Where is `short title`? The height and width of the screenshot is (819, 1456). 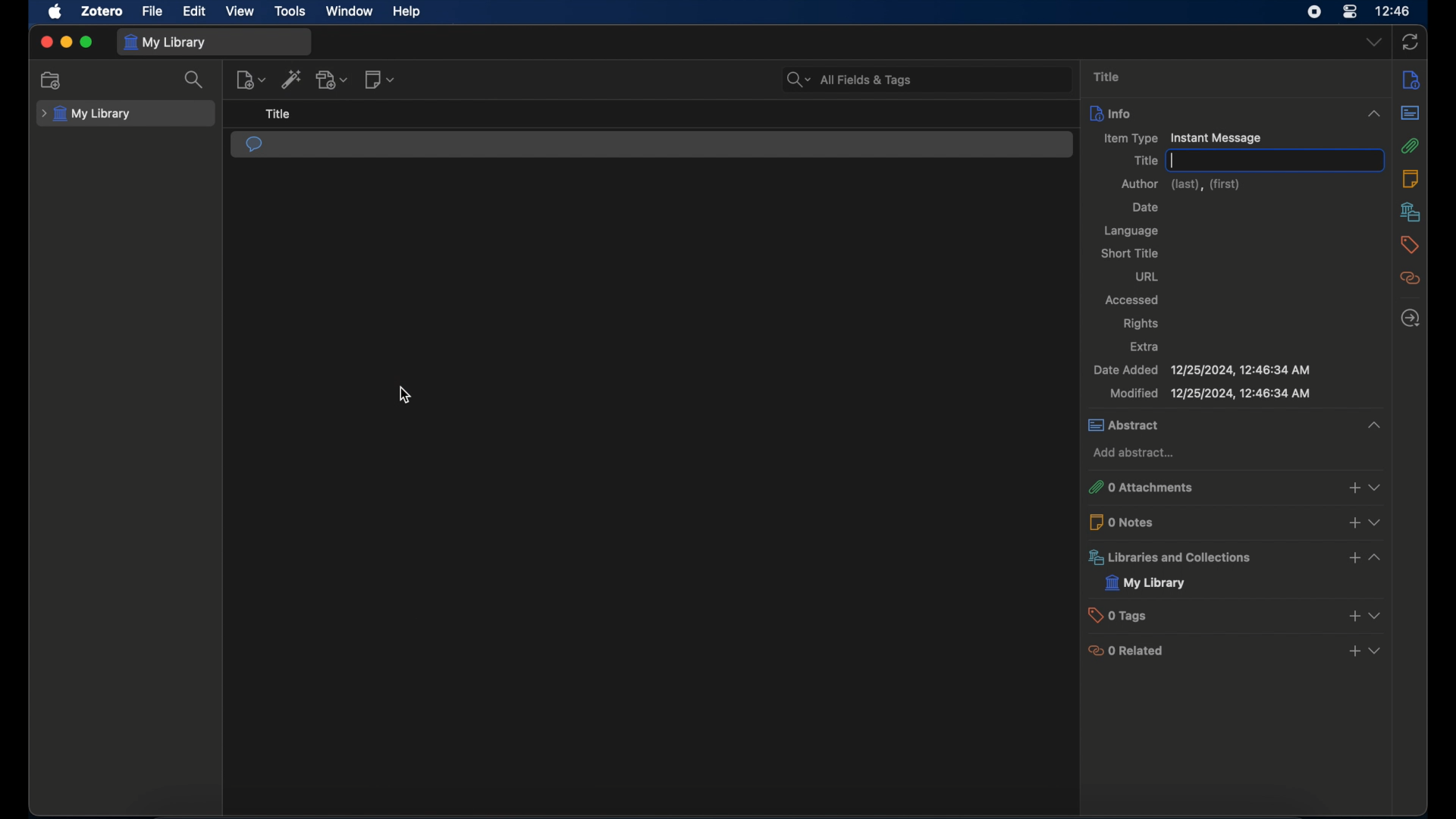 short title is located at coordinates (1129, 253).